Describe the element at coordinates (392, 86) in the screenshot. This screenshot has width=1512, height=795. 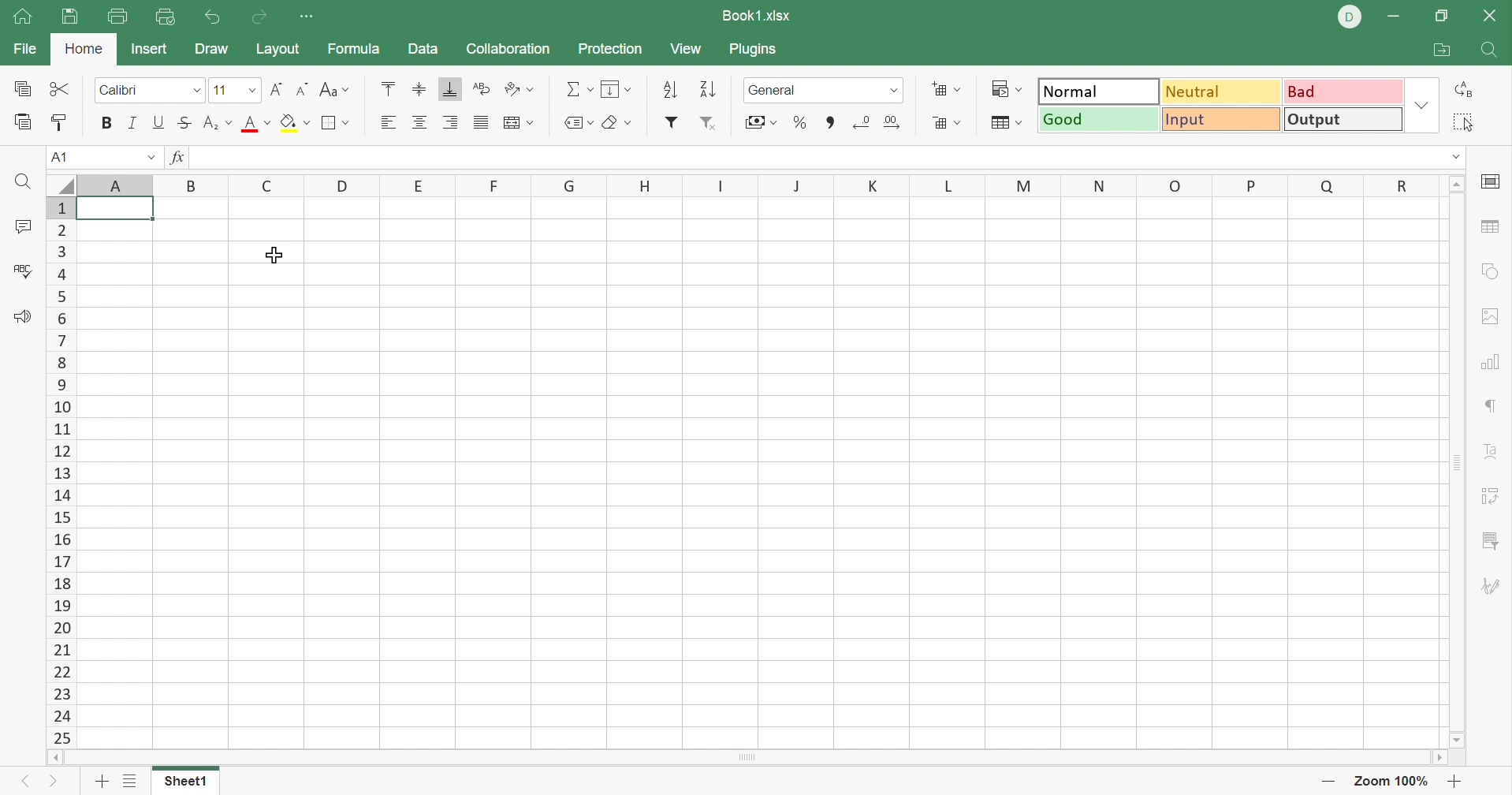
I see `Align Top` at that location.